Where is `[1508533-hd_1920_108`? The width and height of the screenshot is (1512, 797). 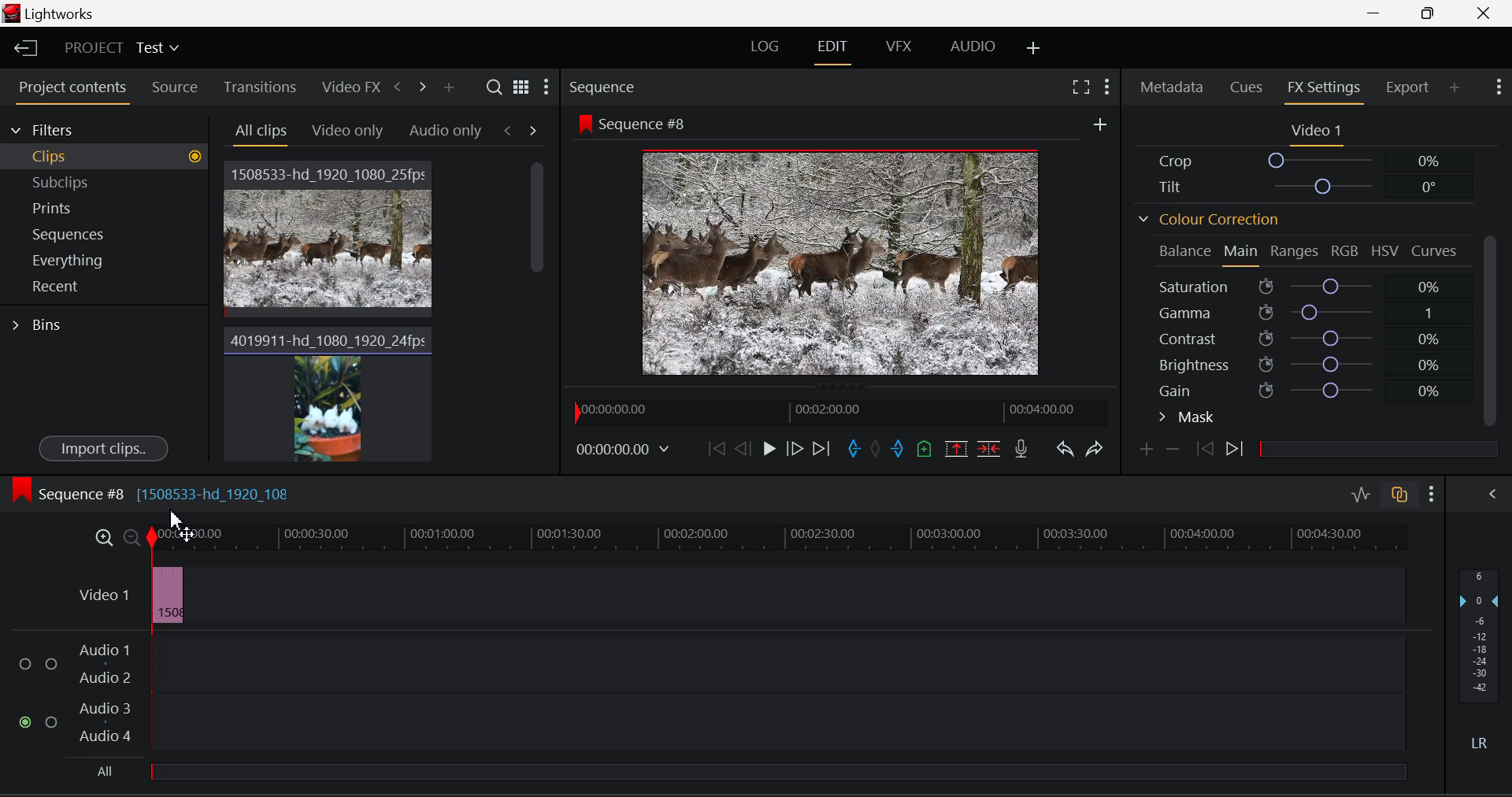
[1508533-hd_1920_108 is located at coordinates (217, 495).